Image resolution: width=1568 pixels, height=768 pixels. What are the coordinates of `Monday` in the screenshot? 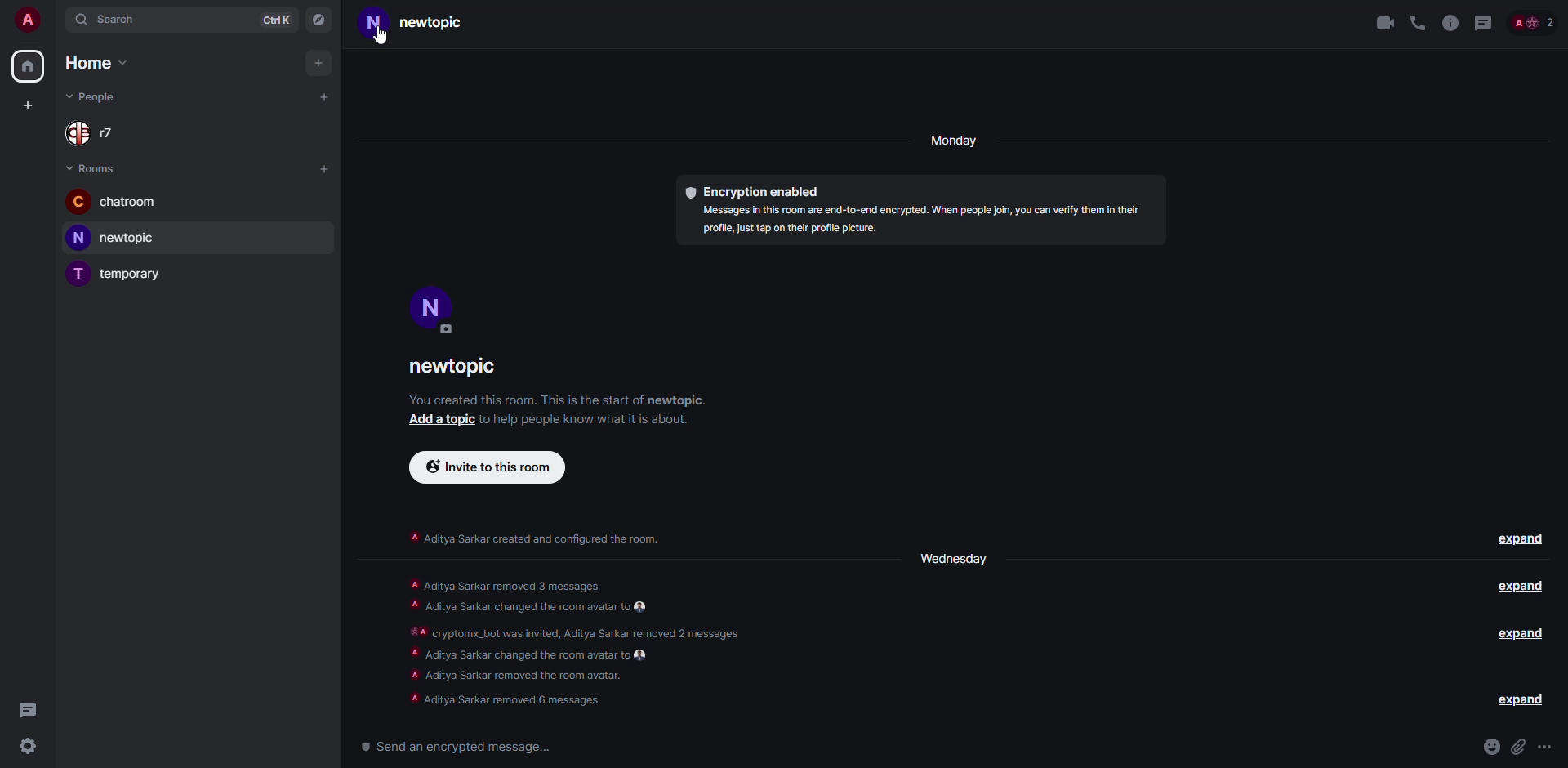 It's located at (953, 139).